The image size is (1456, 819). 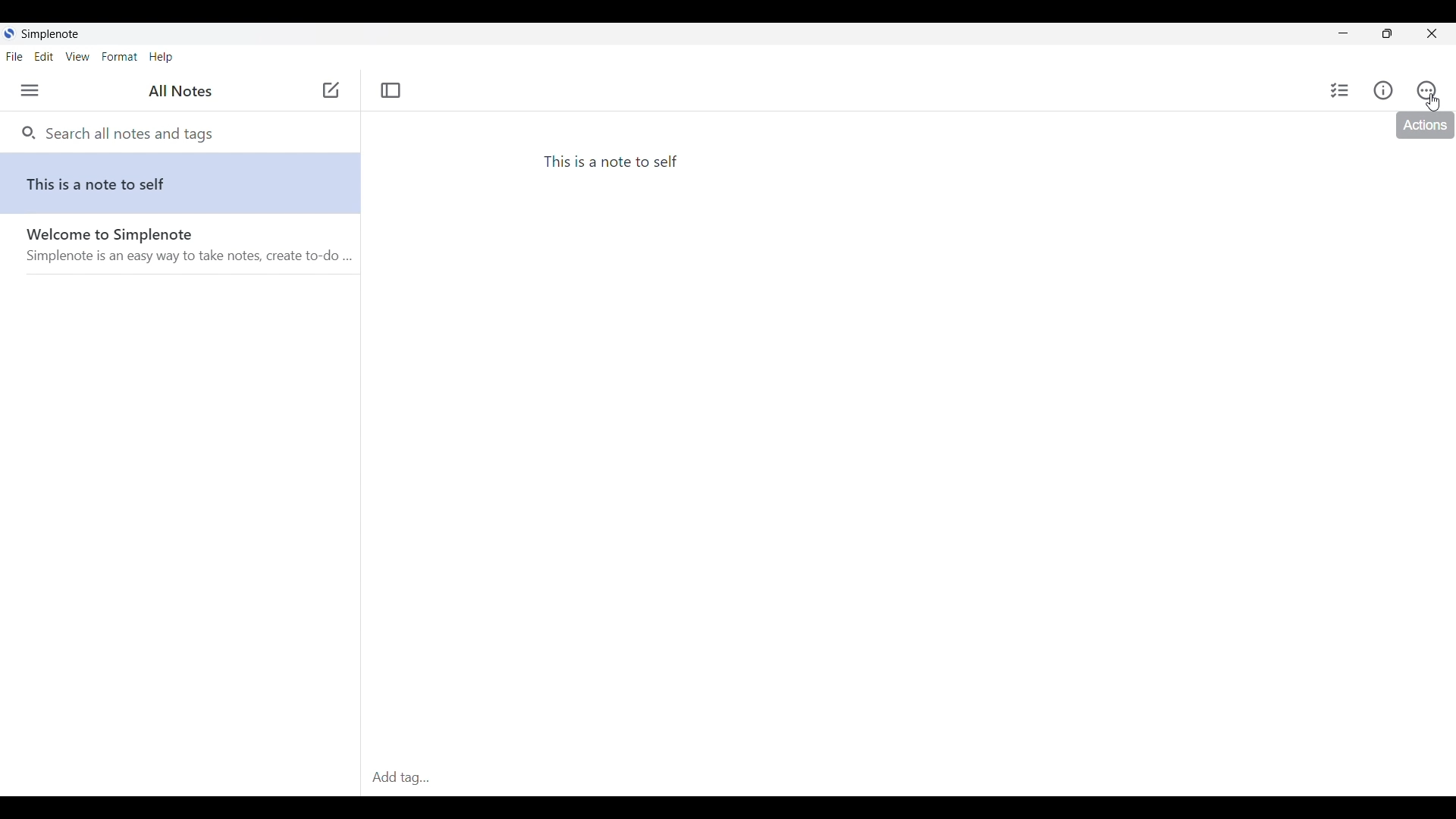 I want to click on Add tag, so click(x=402, y=778).